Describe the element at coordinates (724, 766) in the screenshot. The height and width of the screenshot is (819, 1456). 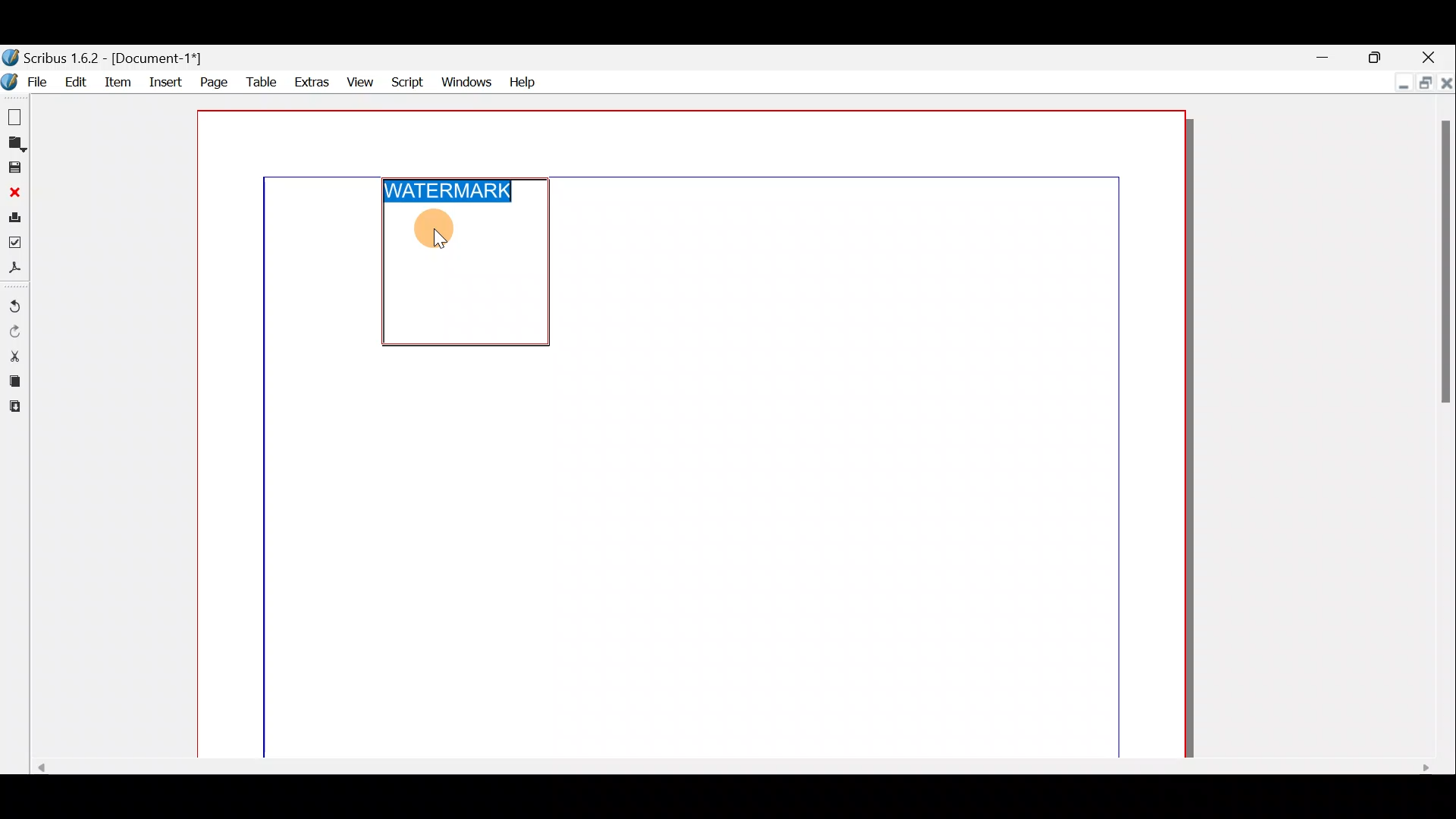
I see `Scroll bar` at that location.